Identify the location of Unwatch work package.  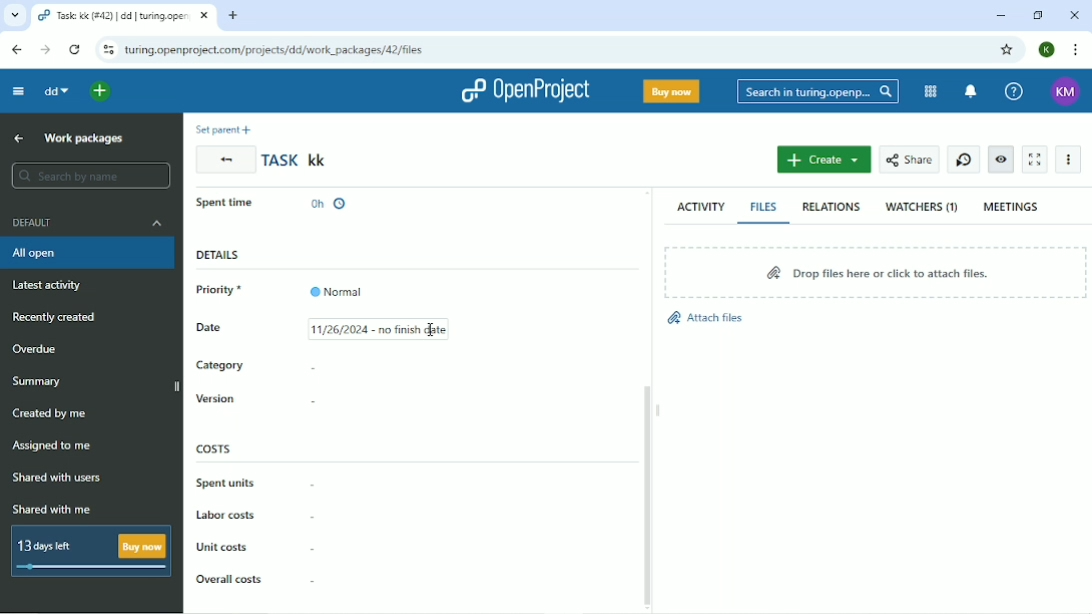
(1000, 159).